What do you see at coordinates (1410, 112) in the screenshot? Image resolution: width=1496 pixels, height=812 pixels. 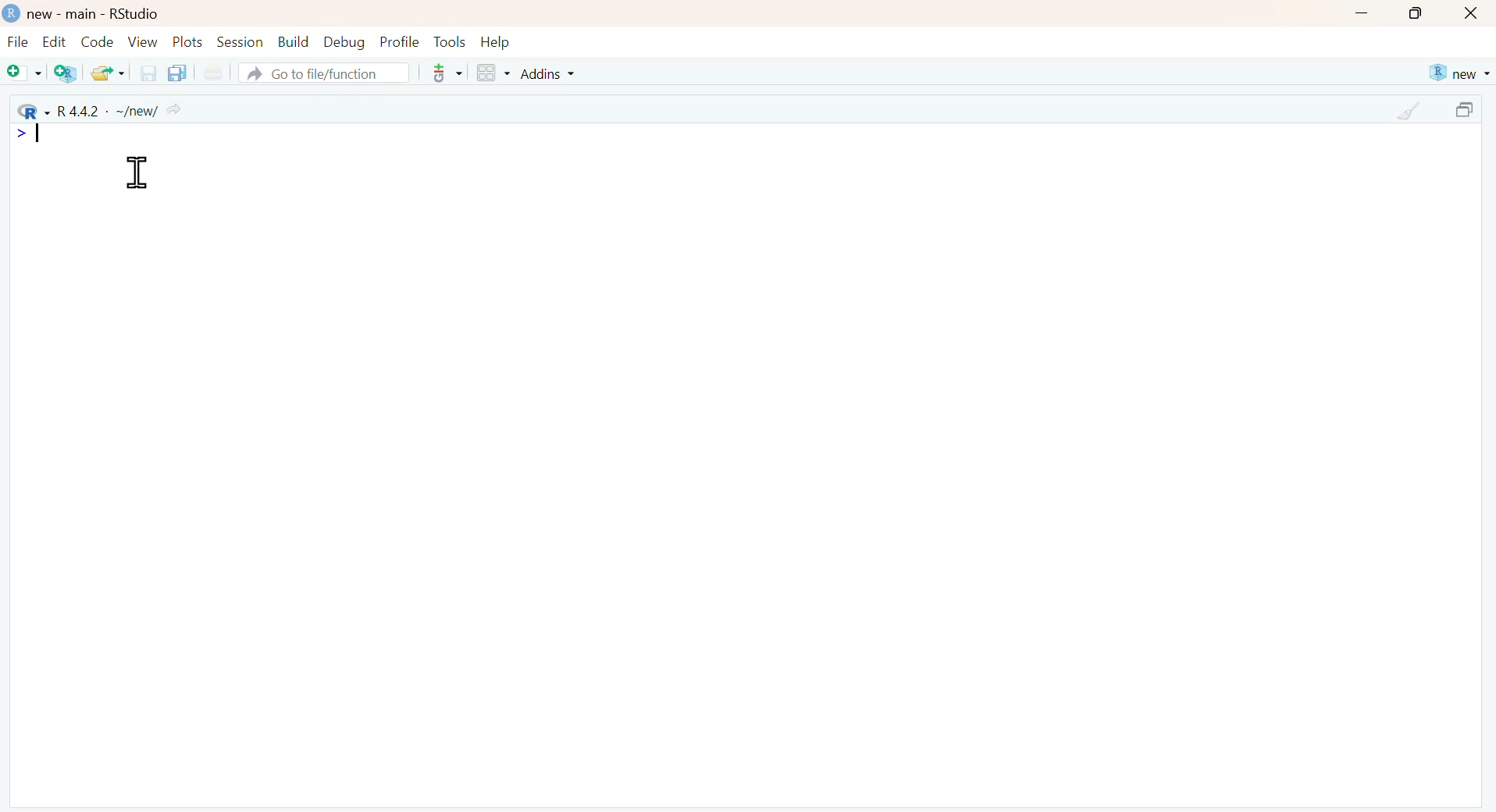 I see `clear console` at bounding box center [1410, 112].